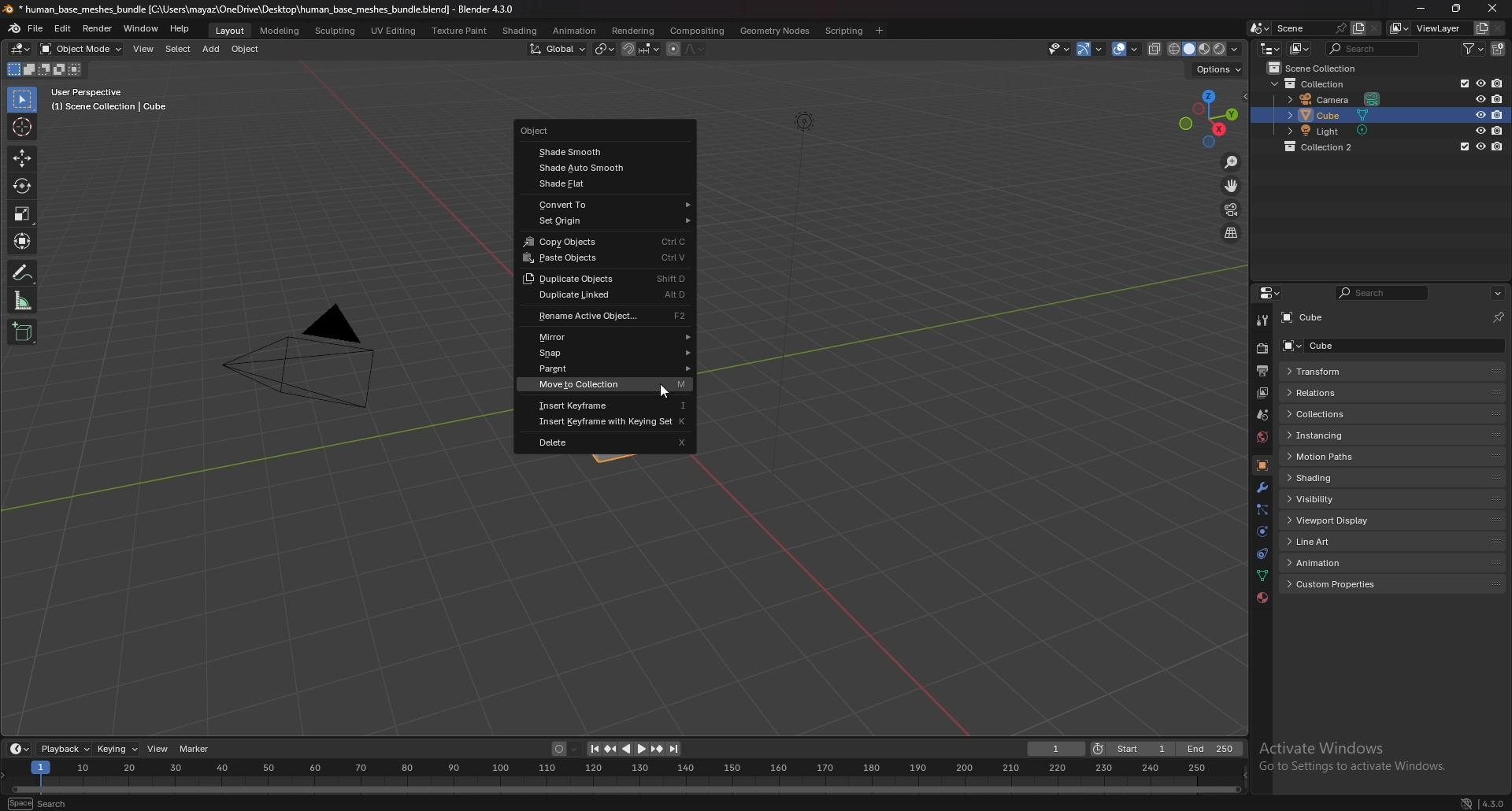 Image resolution: width=1512 pixels, height=811 pixels. I want to click on options, so click(1218, 68).